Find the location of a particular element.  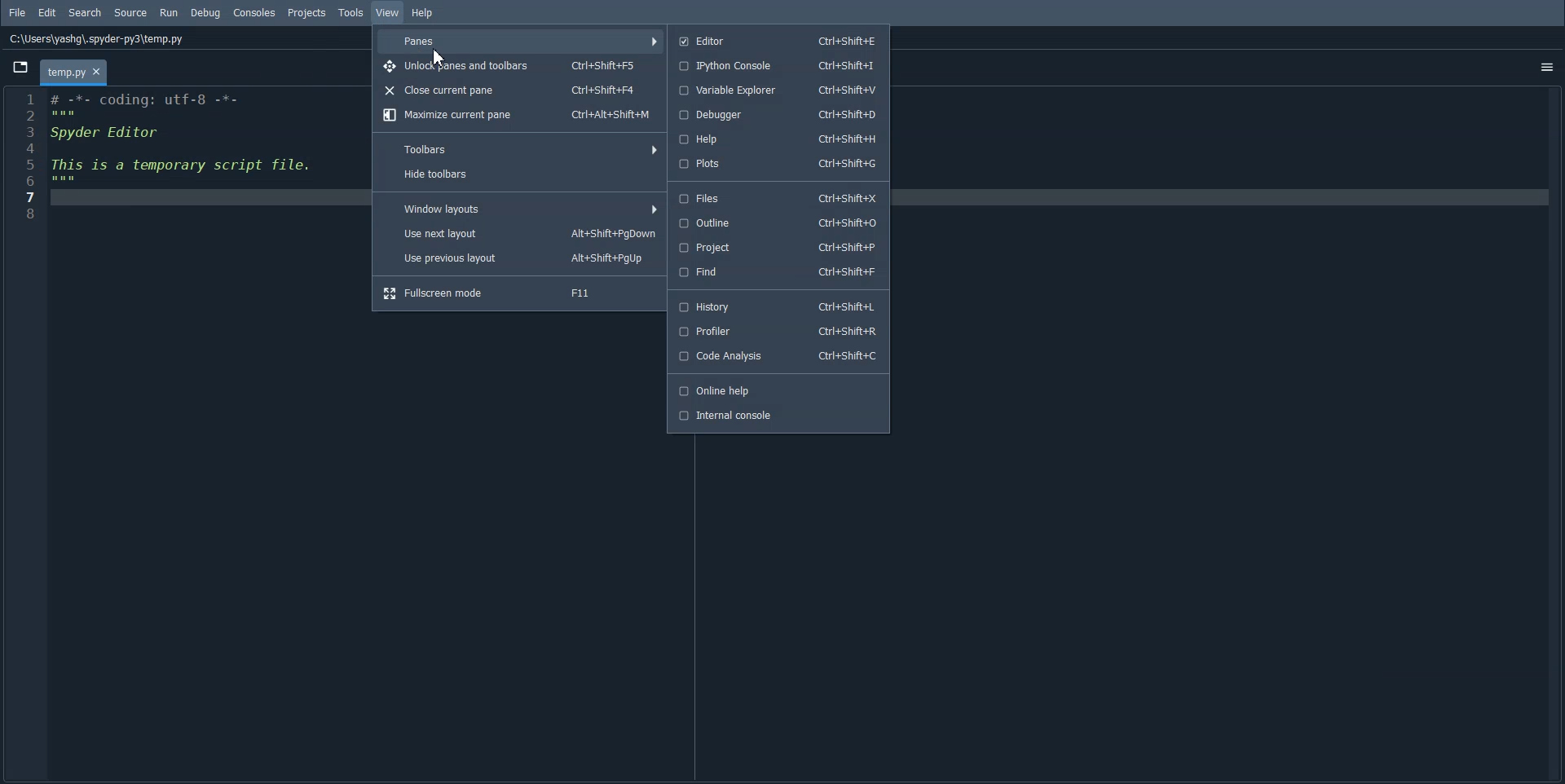

Help is located at coordinates (423, 12).